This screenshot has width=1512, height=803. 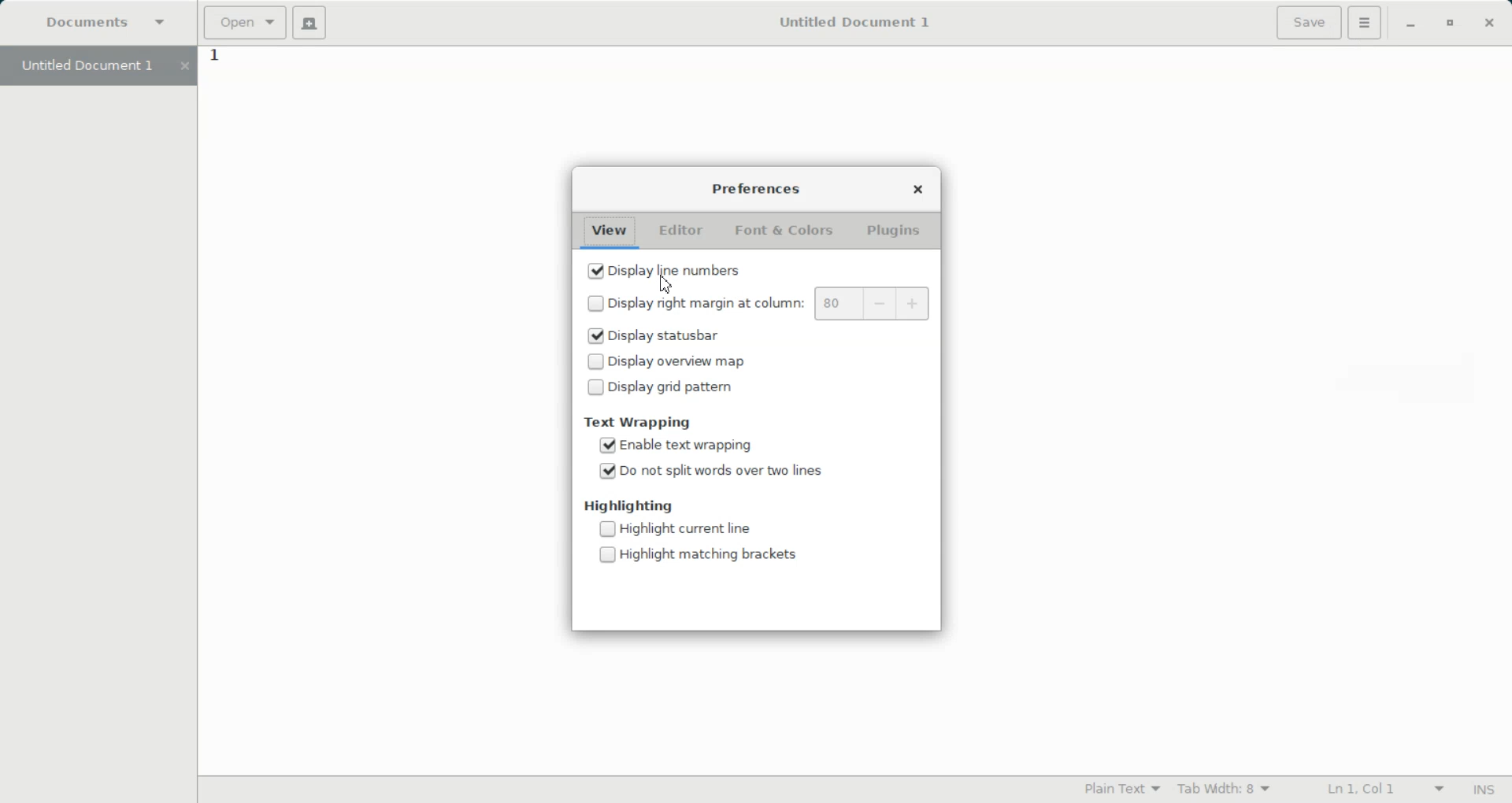 I want to click on 80, so click(x=838, y=303).